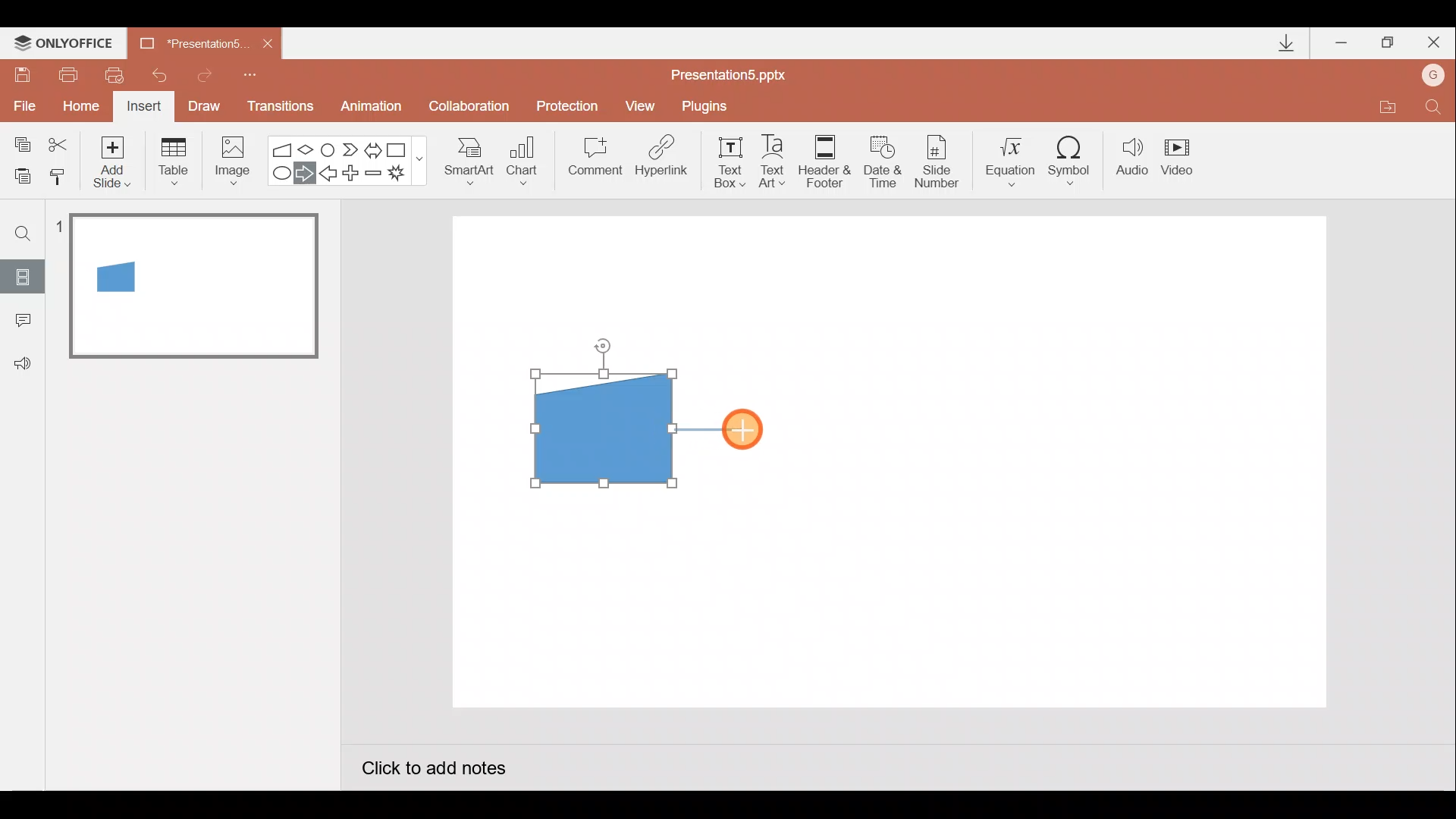 The height and width of the screenshot is (819, 1456). What do you see at coordinates (1388, 43) in the screenshot?
I see `Maximize` at bounding box center [1388, 43].